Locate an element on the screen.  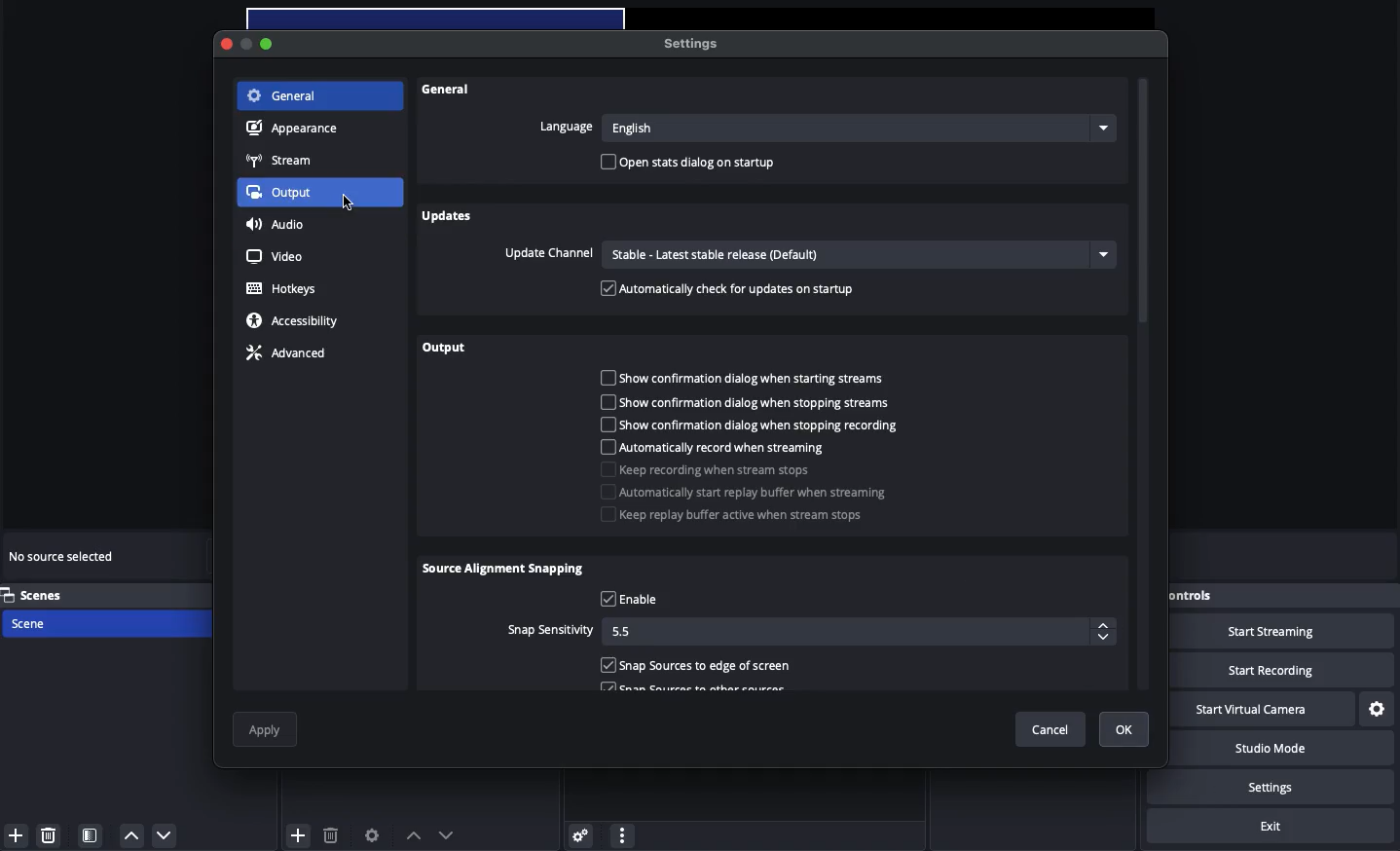
Studio mode is located at coordinates (1271, 751).